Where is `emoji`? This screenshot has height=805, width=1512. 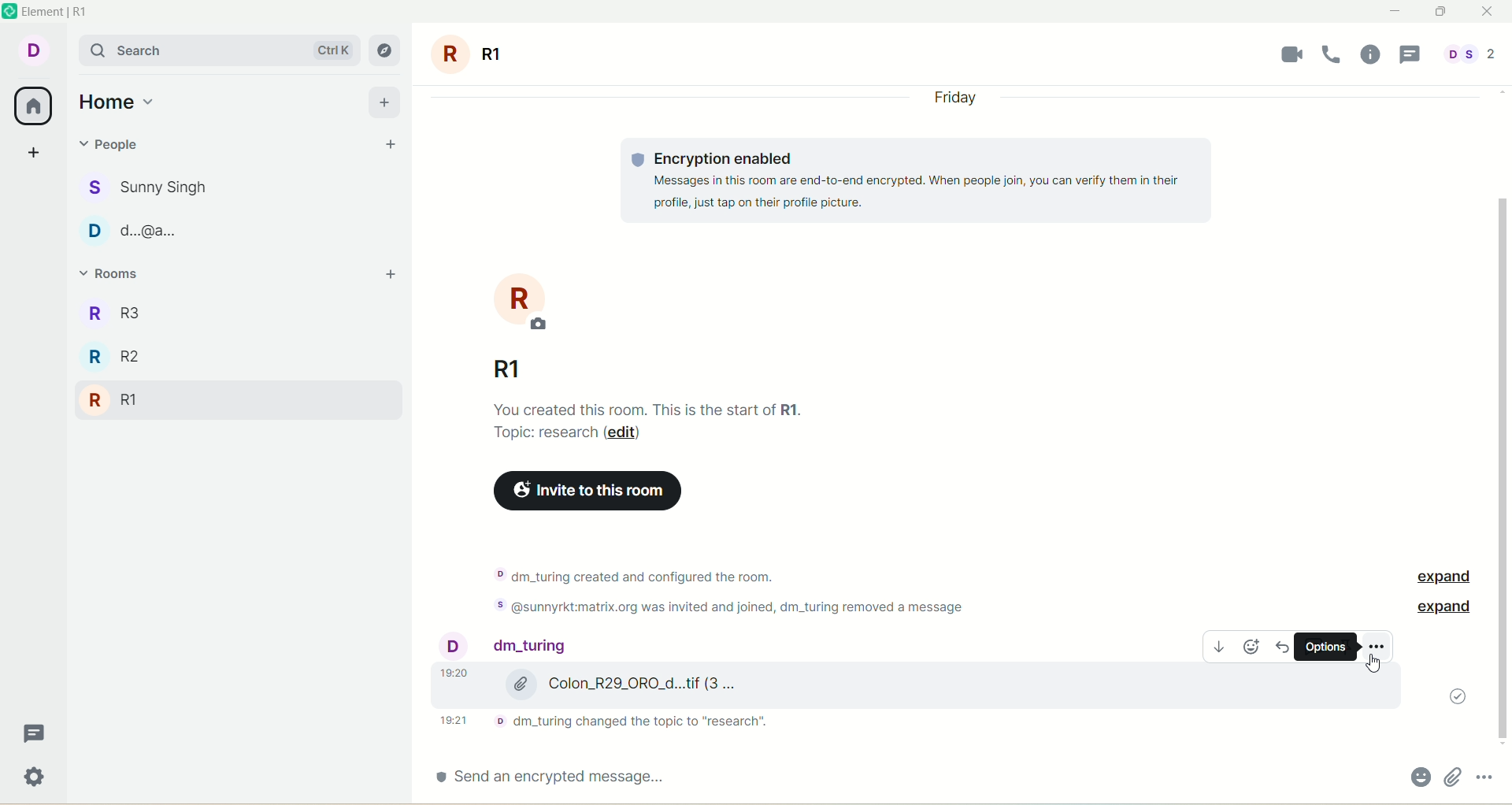
emoji is located at coordinates (1418, 779).